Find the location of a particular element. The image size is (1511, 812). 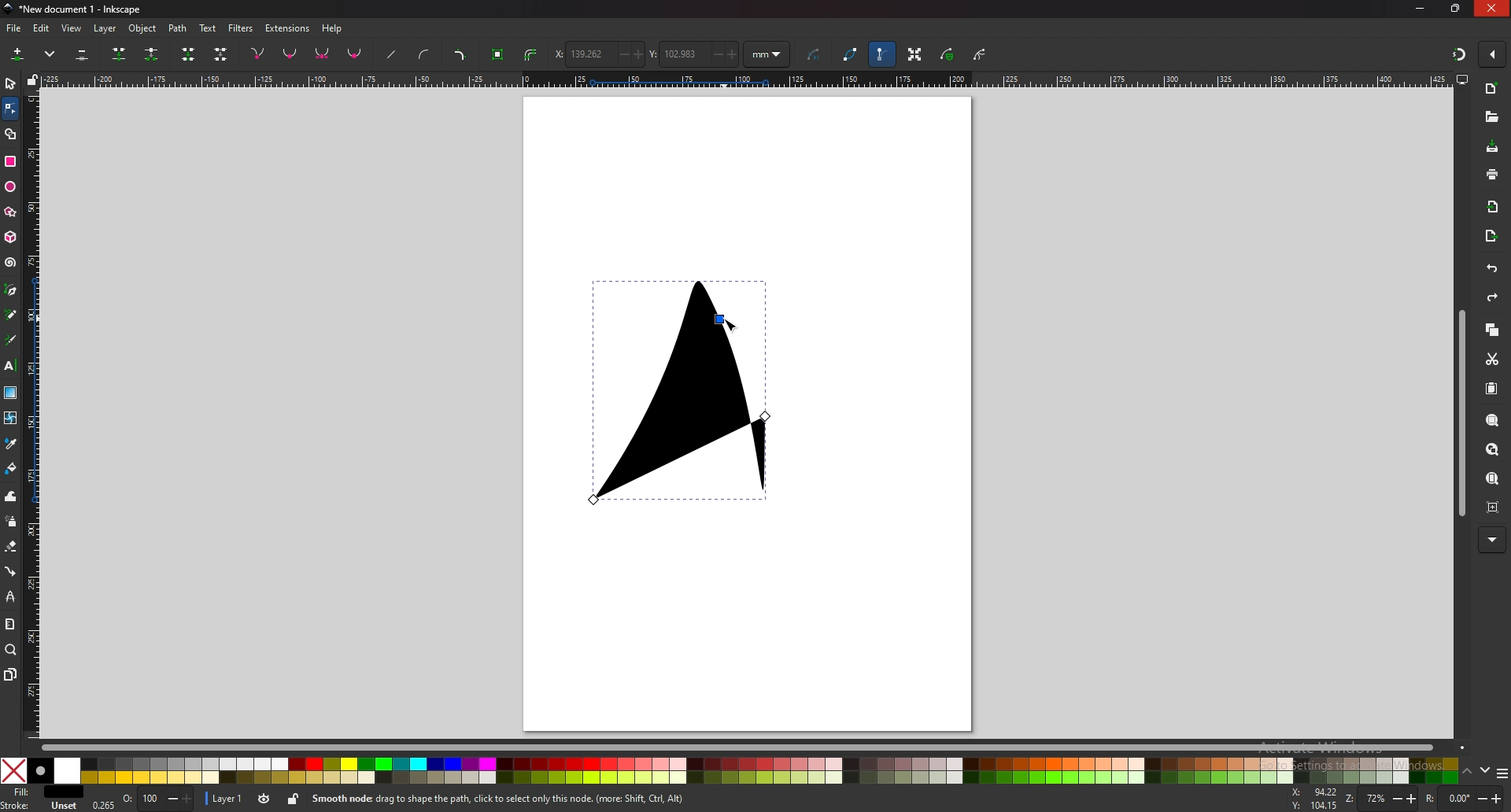

zoom page is located at coordinates (1491, 479).